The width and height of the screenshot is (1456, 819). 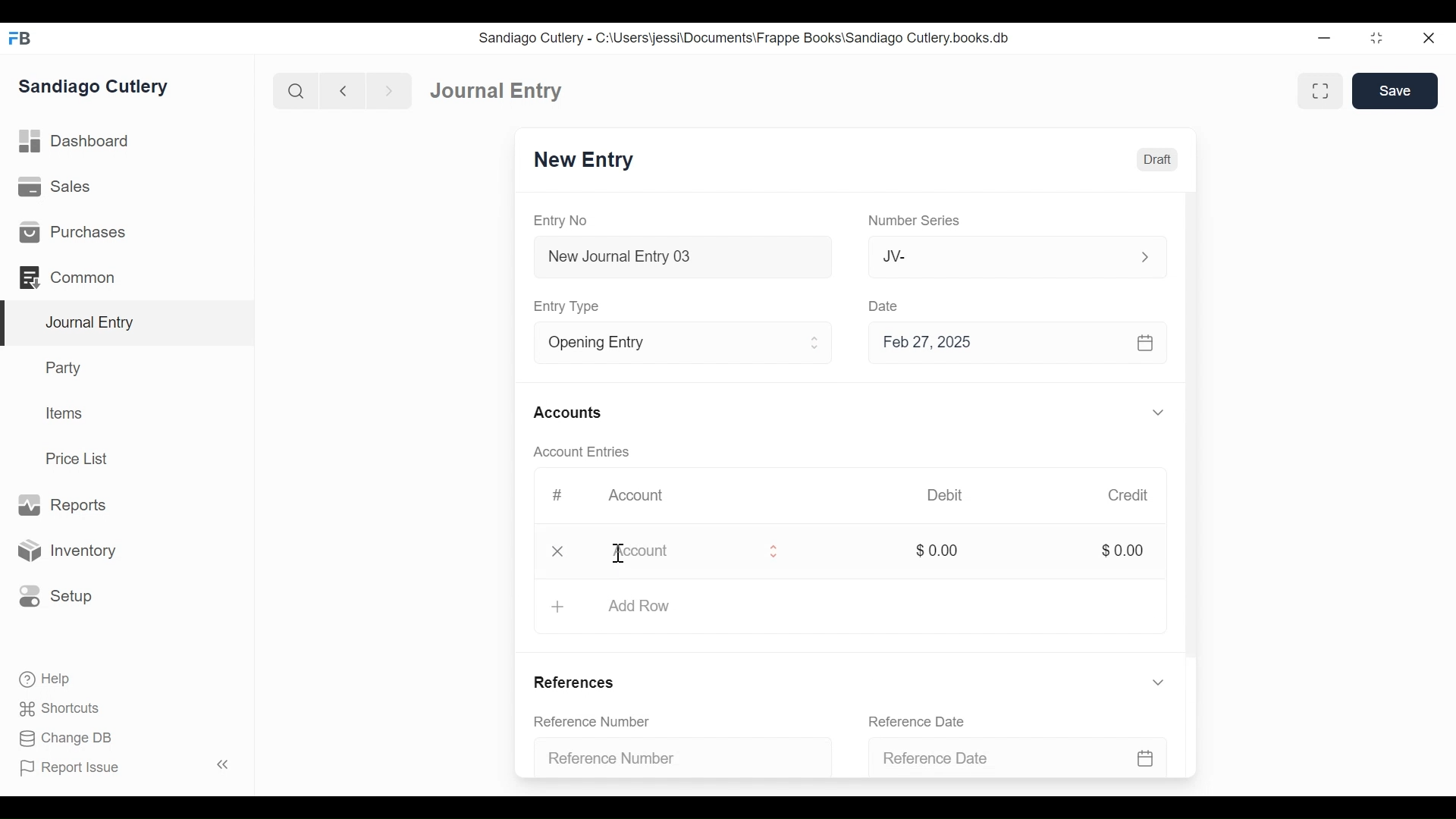 I want to click on Account Entries, so click(x=580, y=452).